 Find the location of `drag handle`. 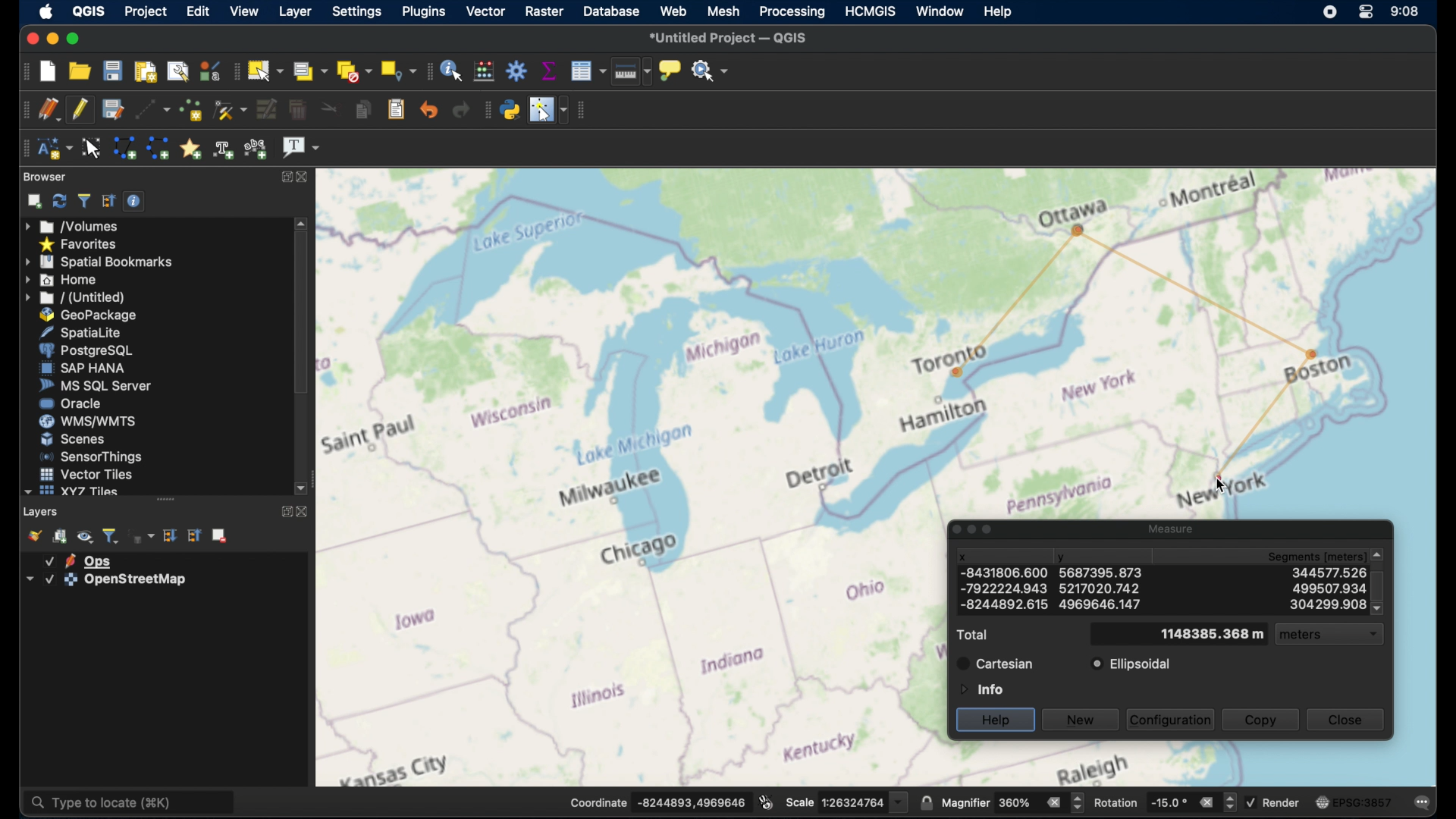

drag handle is located at coordinates (165, 499).